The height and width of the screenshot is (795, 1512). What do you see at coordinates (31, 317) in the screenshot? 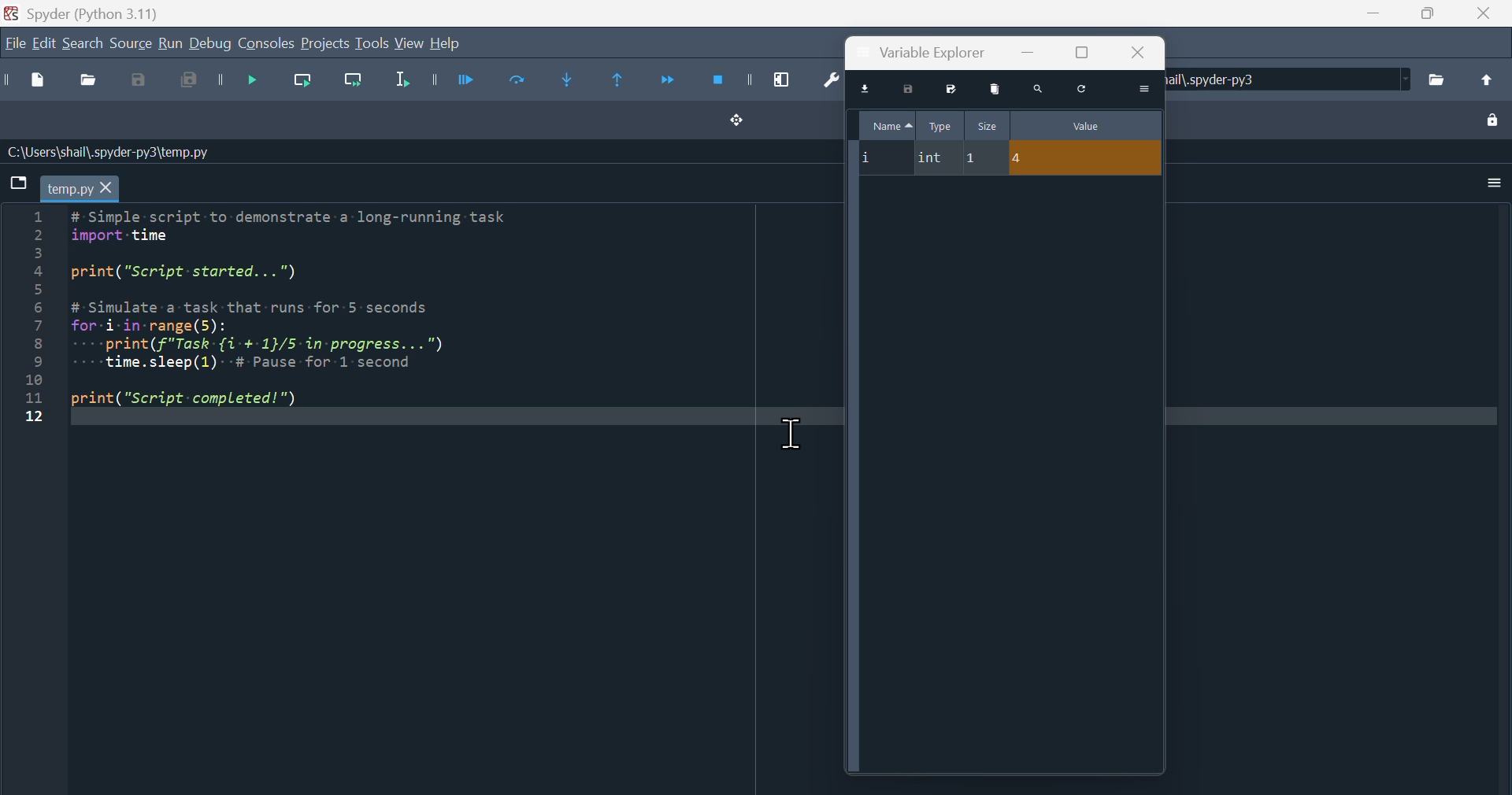
I see `line number` at bounding box center [31, 317].